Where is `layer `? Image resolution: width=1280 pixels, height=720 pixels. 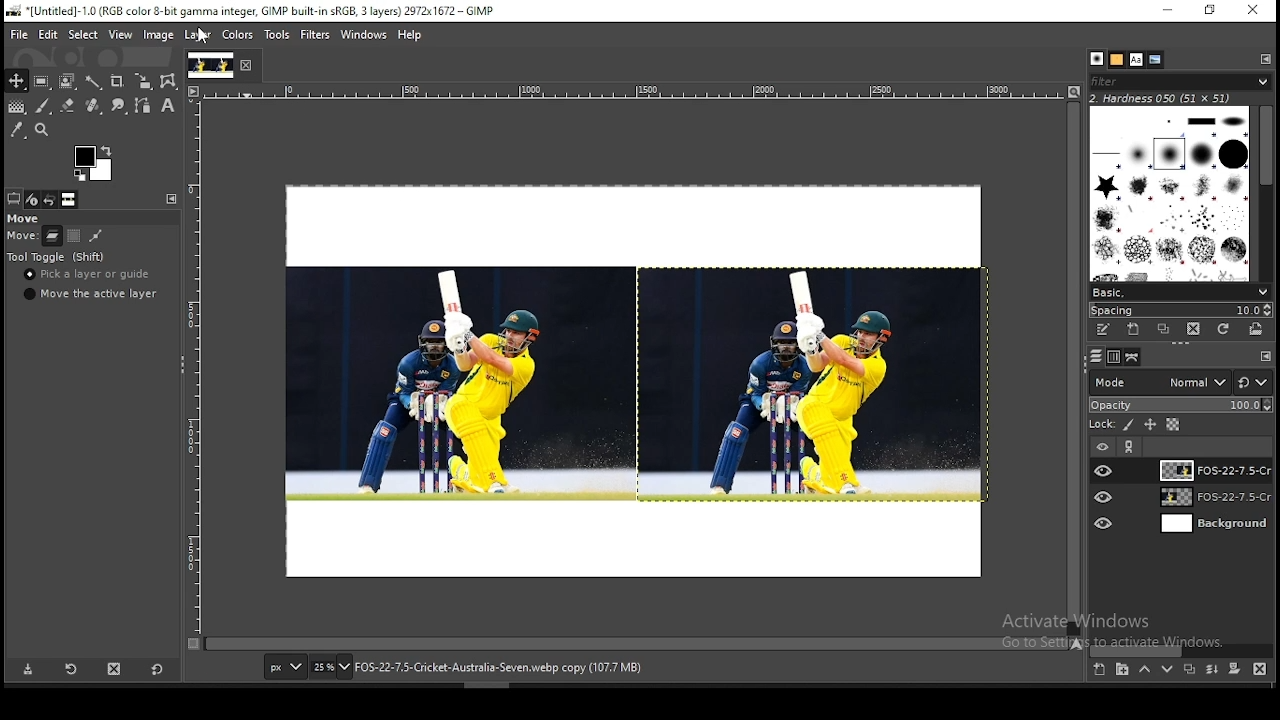 layer  is located at coordinates (1212, 499).